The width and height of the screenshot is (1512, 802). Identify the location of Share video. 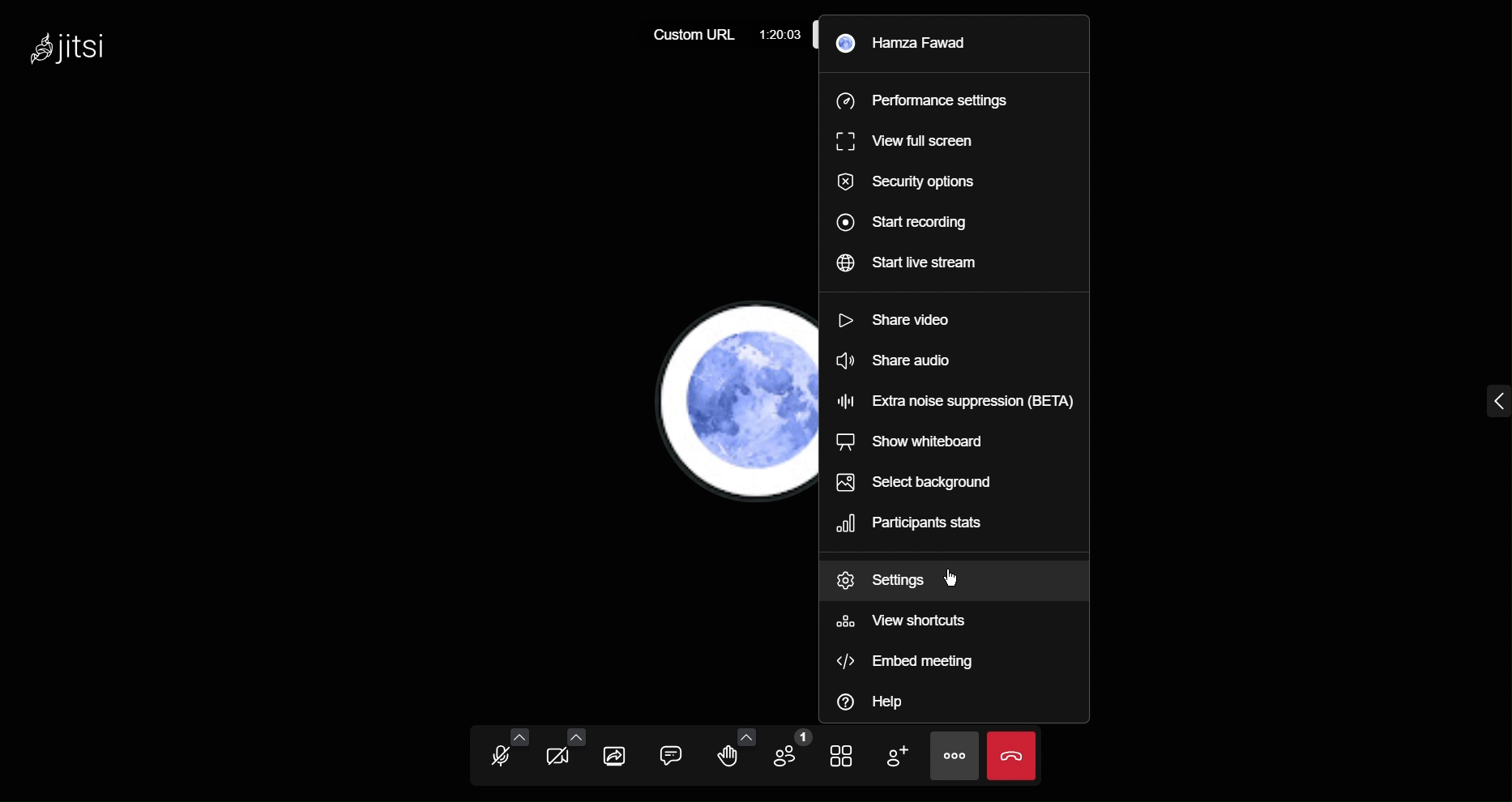
(896, 319).